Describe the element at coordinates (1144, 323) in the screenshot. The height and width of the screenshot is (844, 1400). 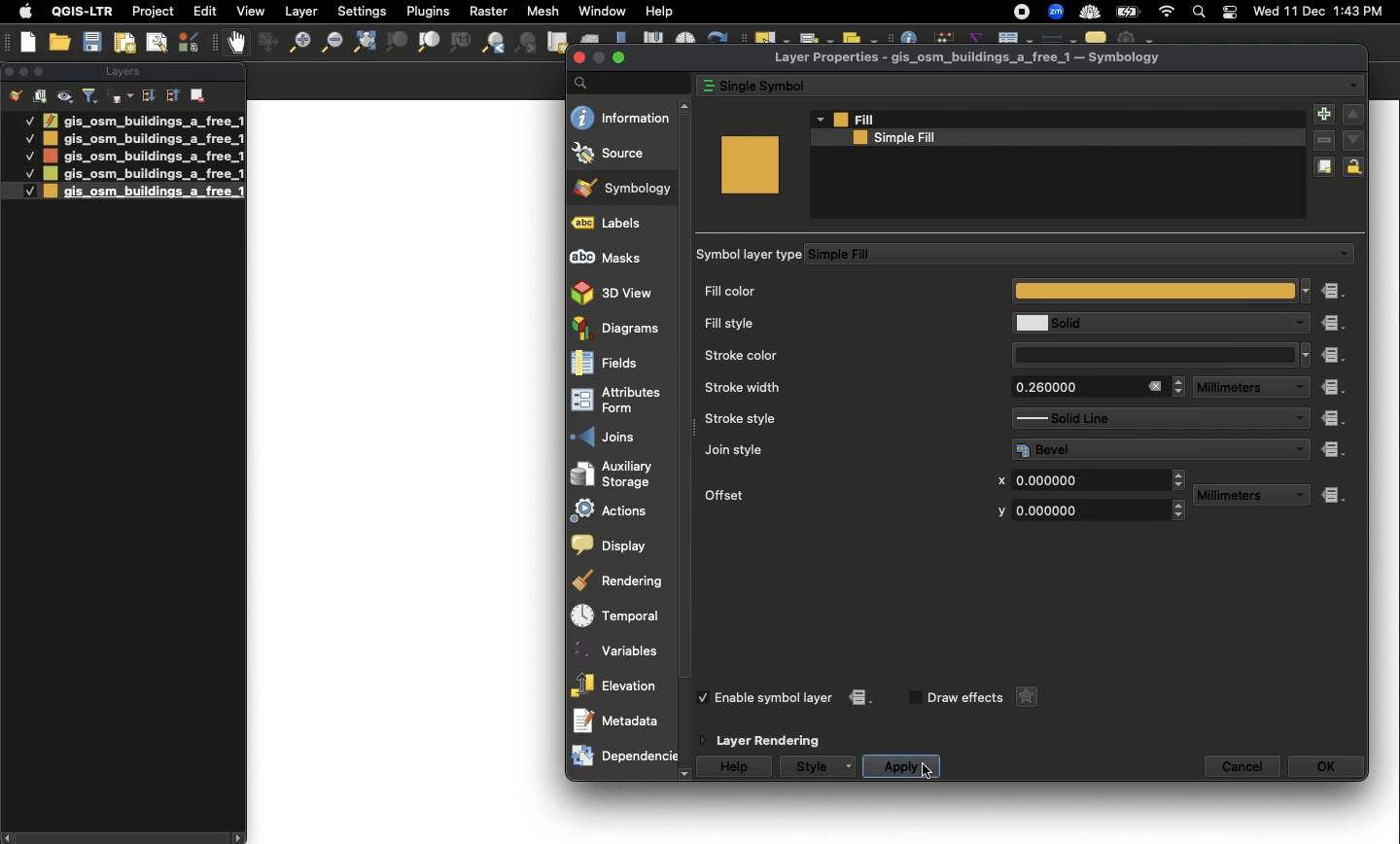
I see `Solid` at that location.